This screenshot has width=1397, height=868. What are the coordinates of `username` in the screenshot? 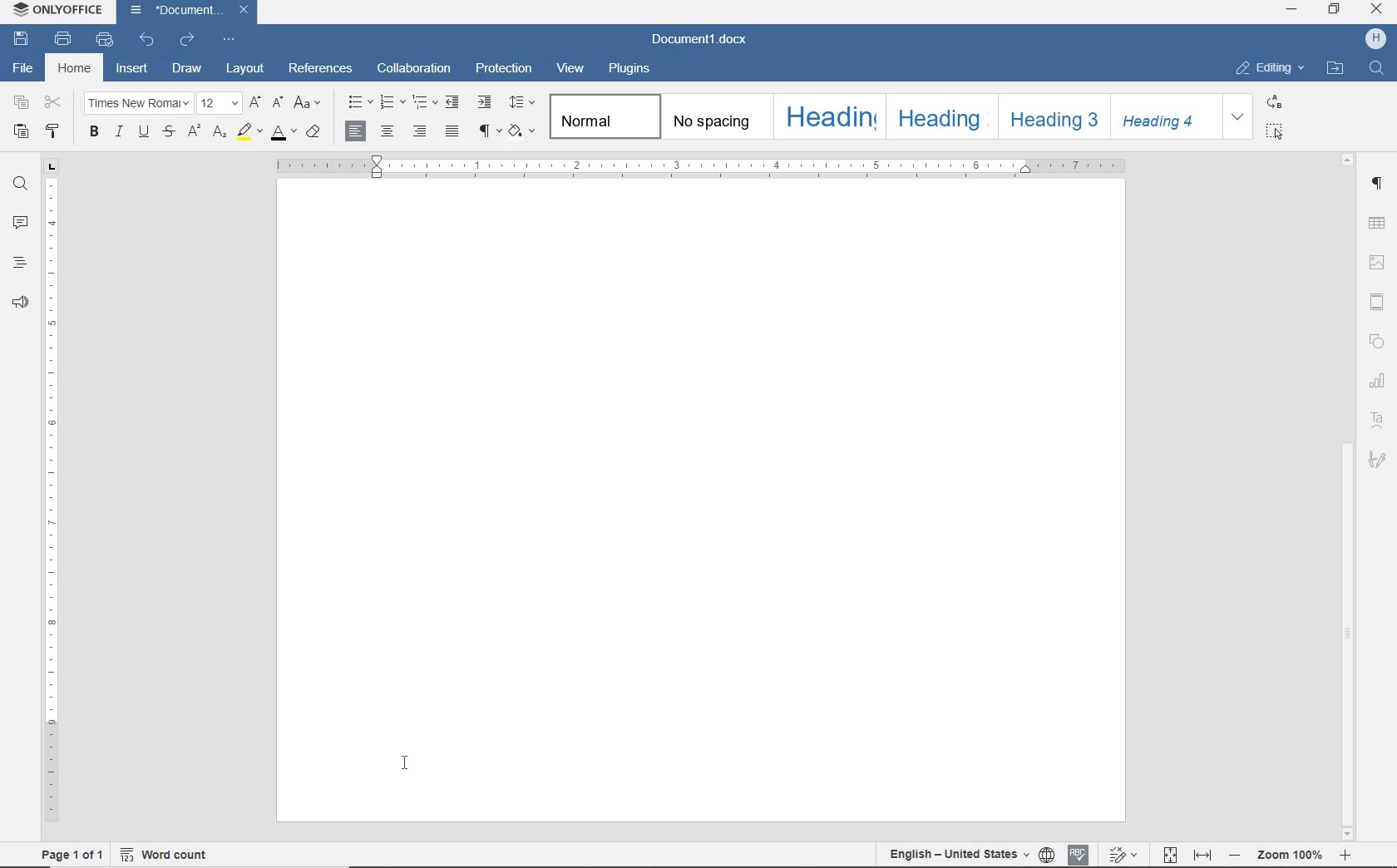 It's located at (1375, 40).